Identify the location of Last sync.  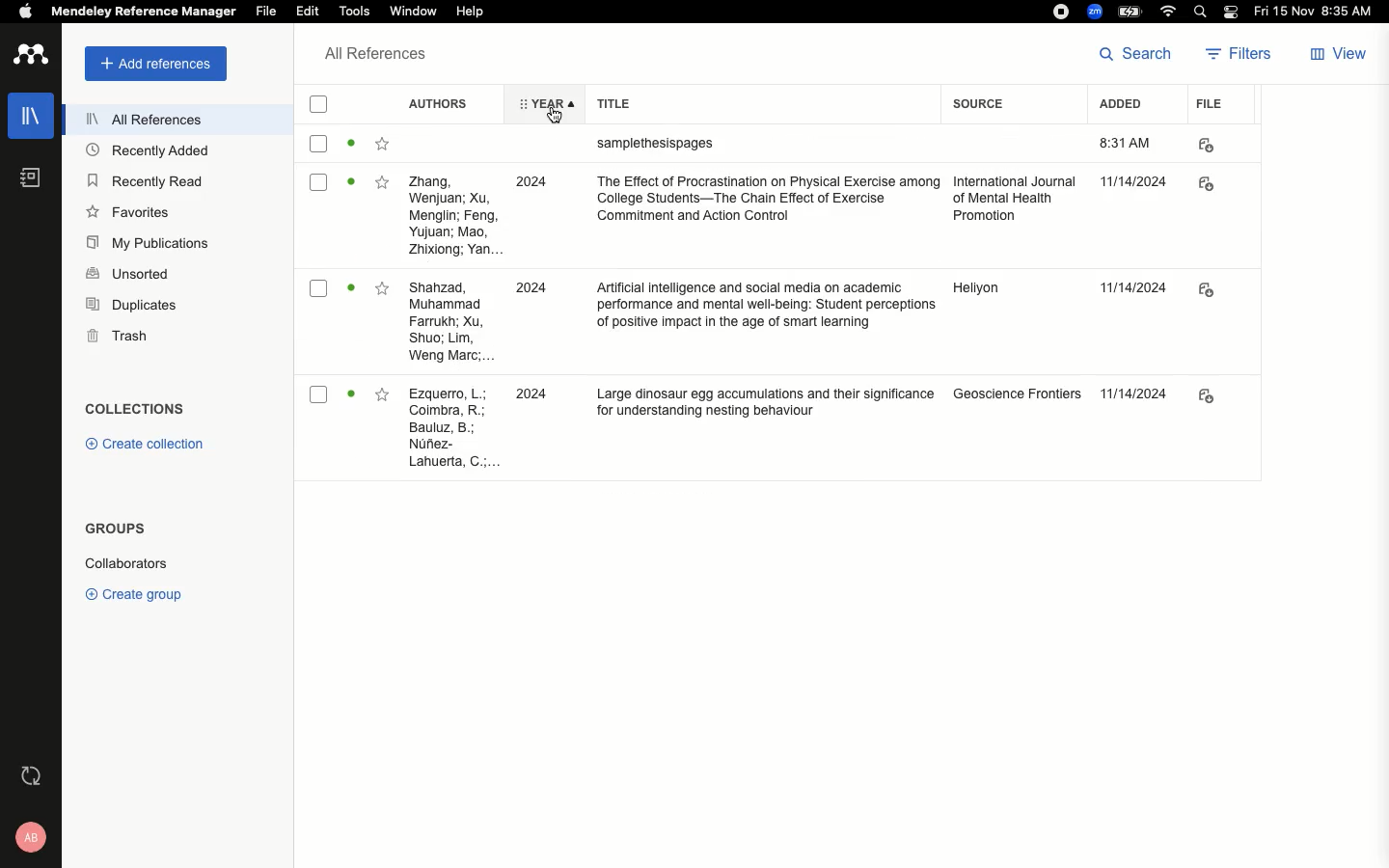
(27, 774).